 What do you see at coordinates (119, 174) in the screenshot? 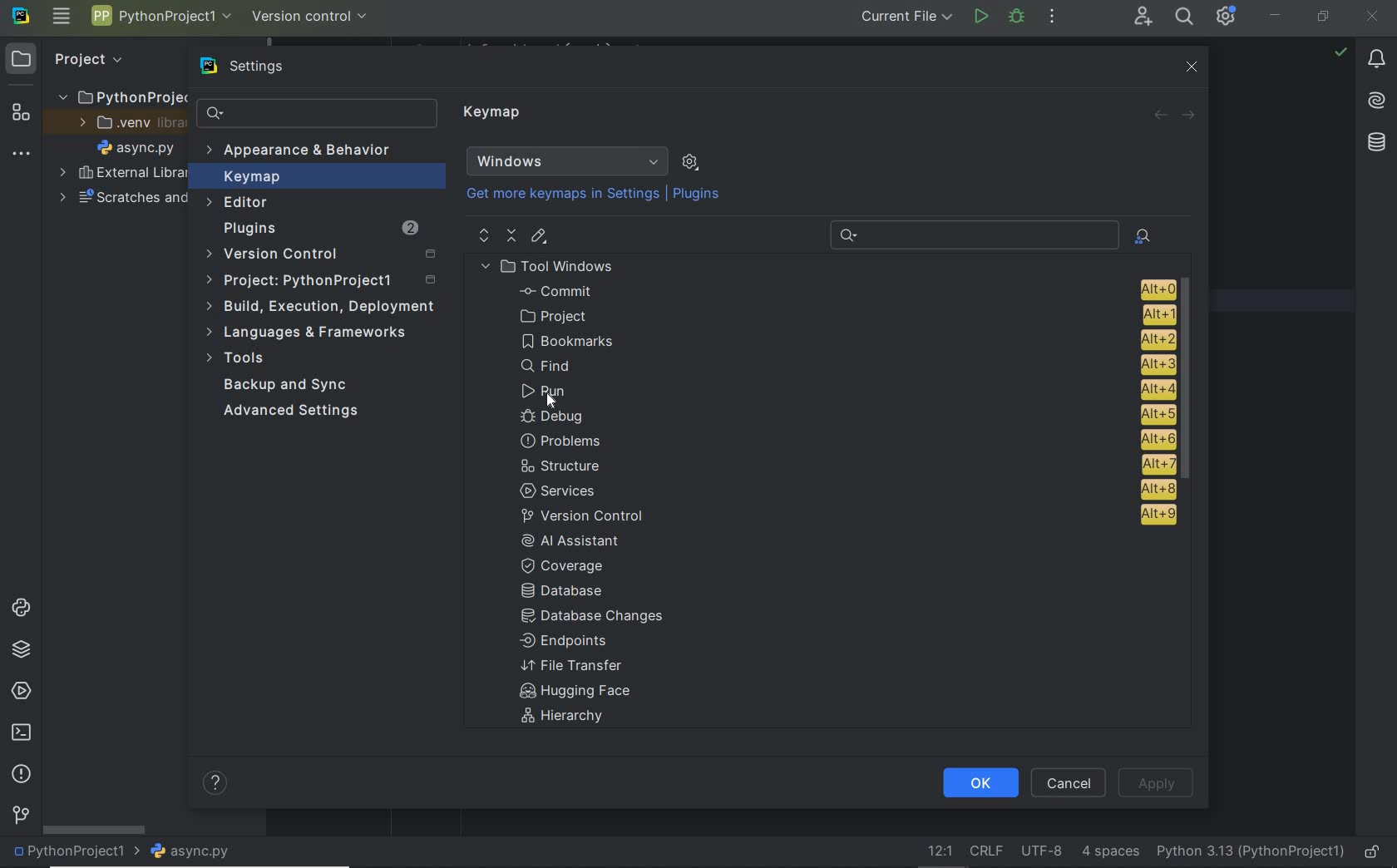
I see `External Libraries` at bounding box center [119, 174].